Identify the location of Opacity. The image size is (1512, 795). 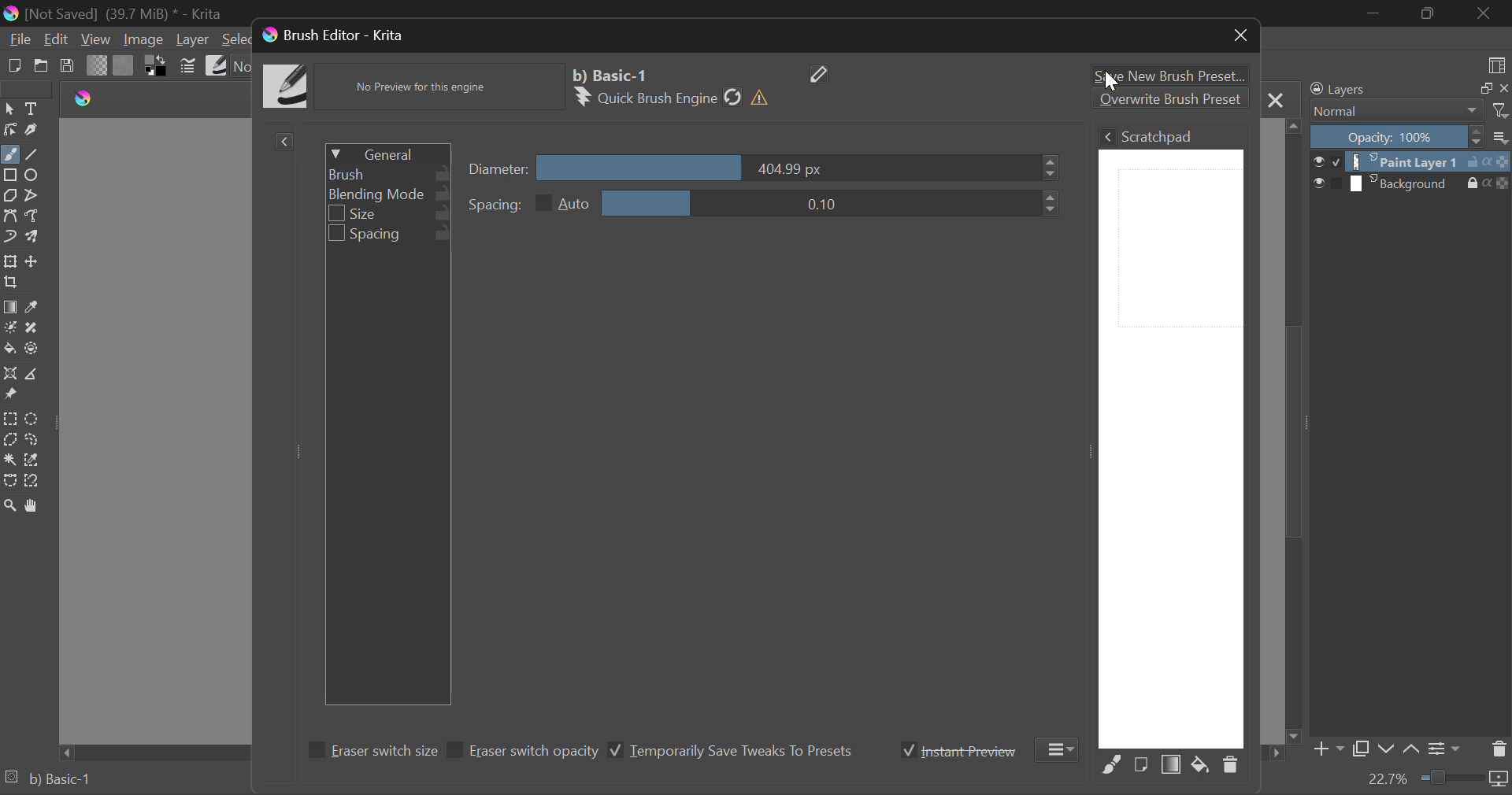
(1410, 138).